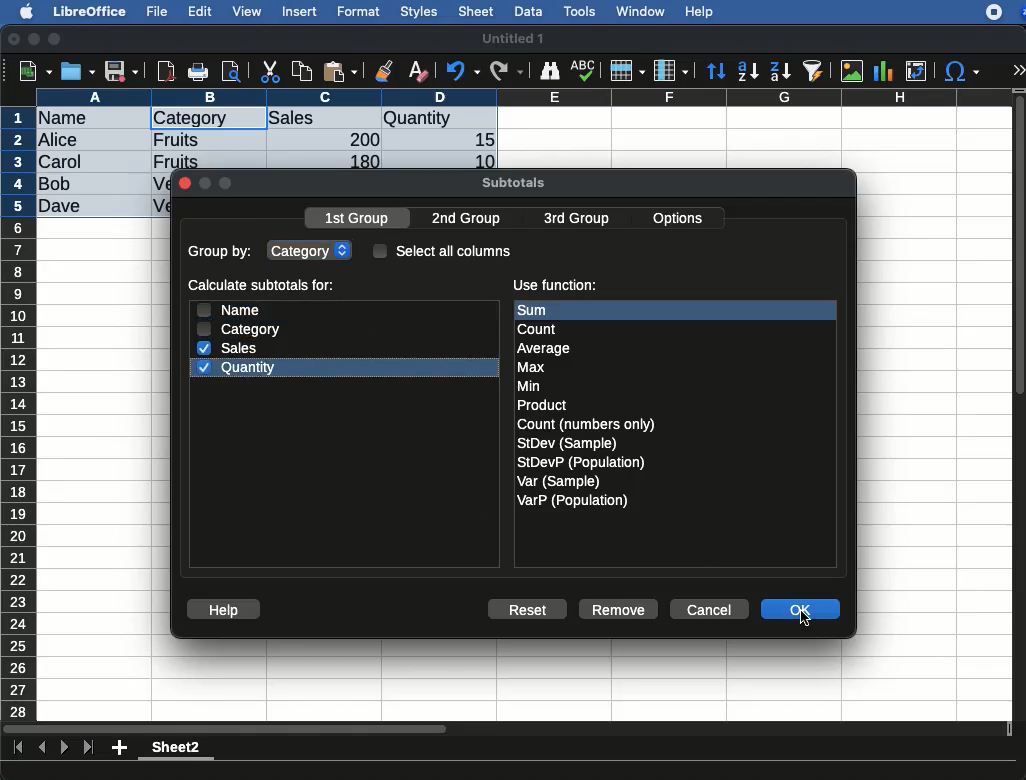  Describe the element at coordinates (477, 11) in the screenshot. I see `sheet` at that location.